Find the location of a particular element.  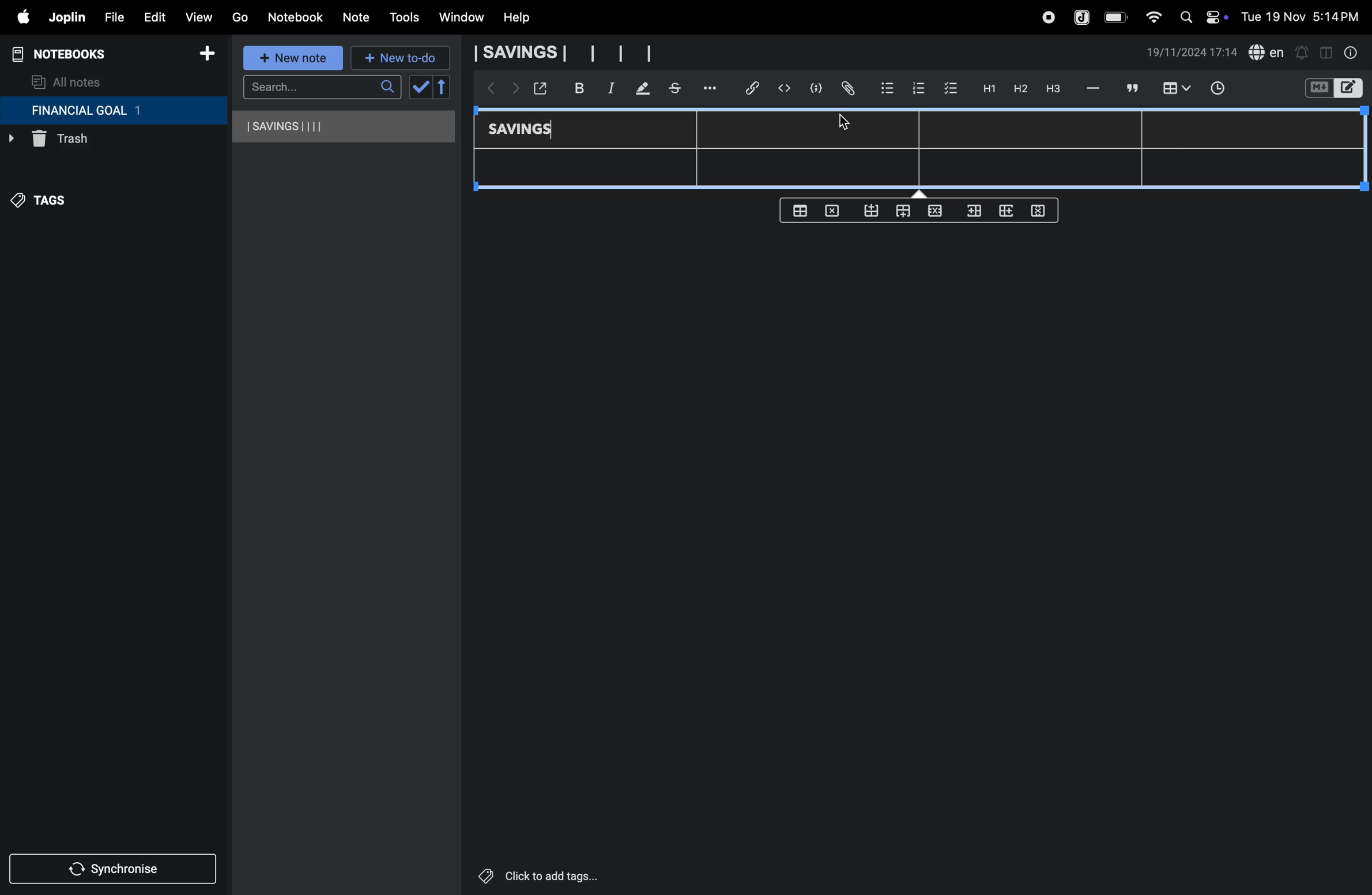

view is located at coordinates (198, 14).